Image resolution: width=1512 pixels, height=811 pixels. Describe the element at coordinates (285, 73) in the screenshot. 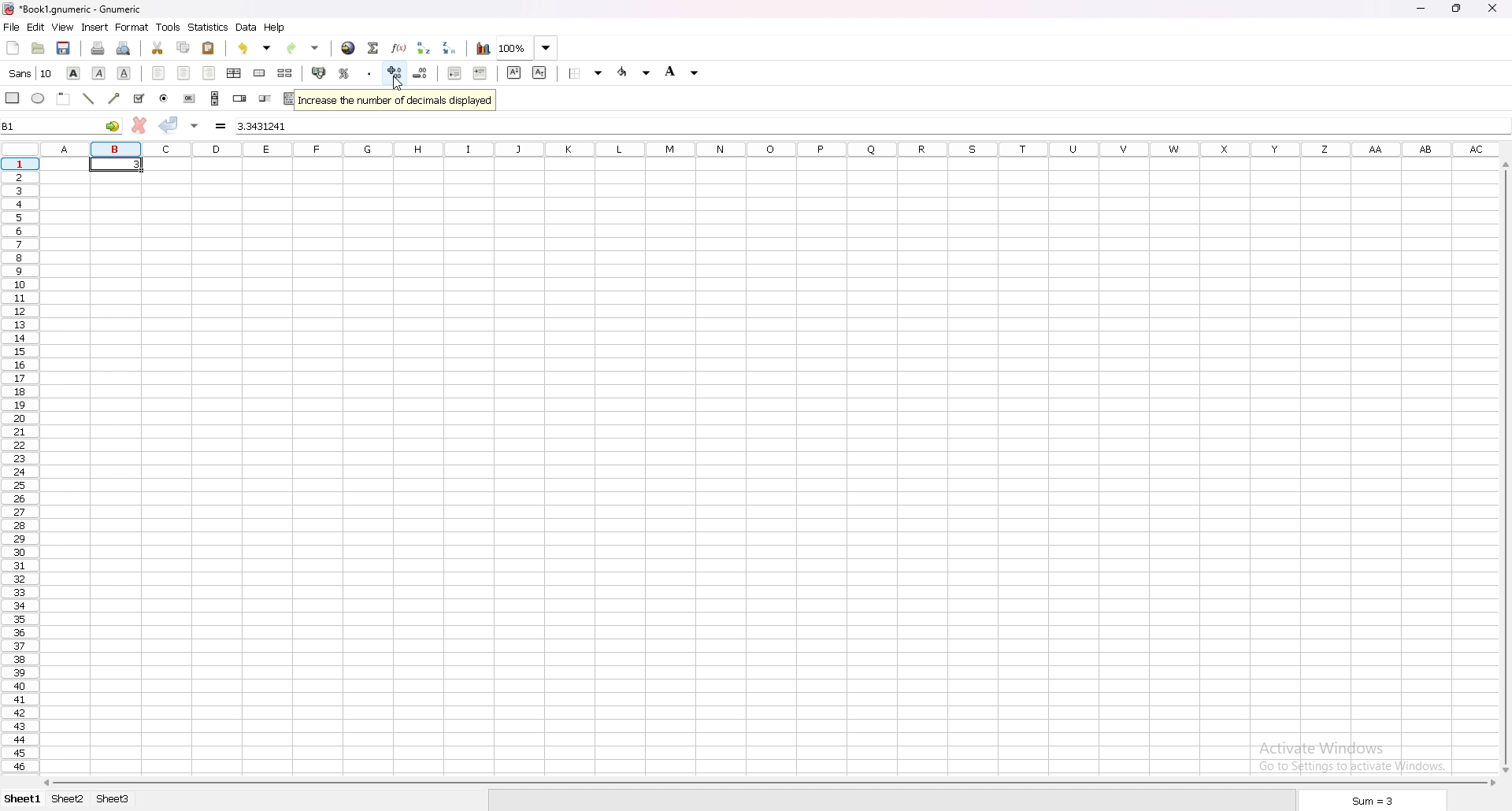

I see `split merged cells` at that location.